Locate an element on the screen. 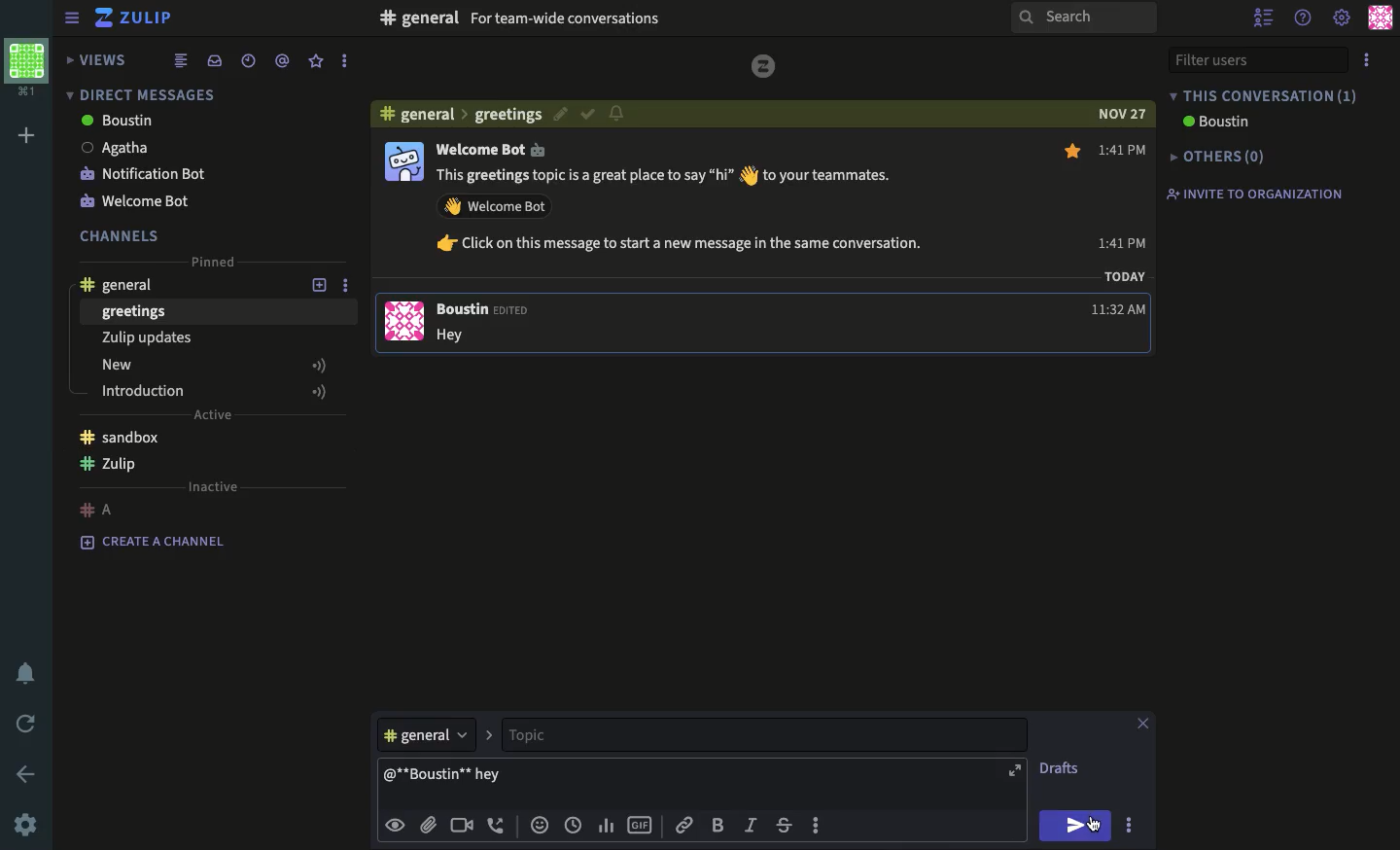 The width and height of the screenshot is (1400, 850). boustin is located at coordinates (1213, 122).